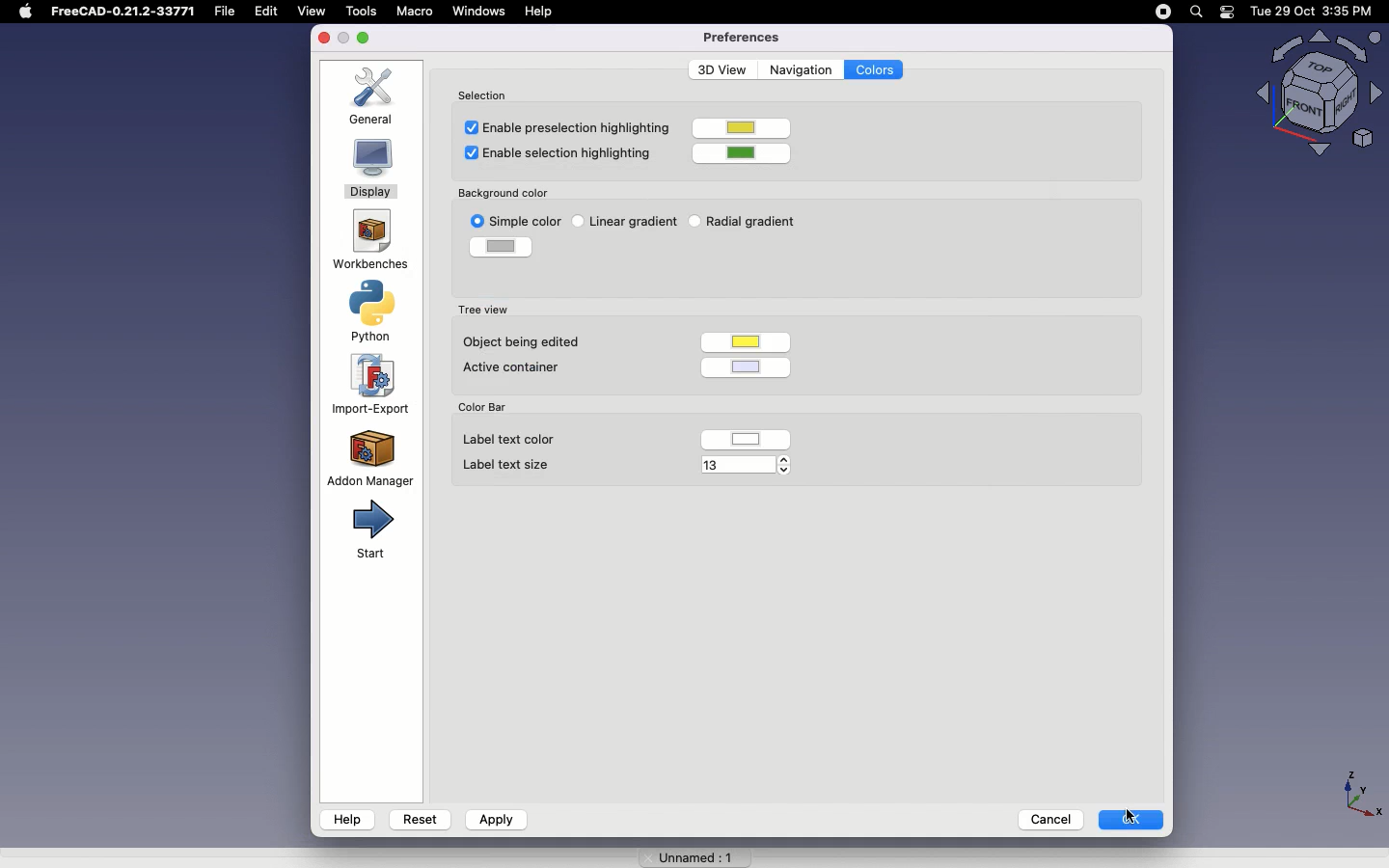 The height and width of the screenshot is (868, 1389). I want to click on 3D View, so click(719, 69).